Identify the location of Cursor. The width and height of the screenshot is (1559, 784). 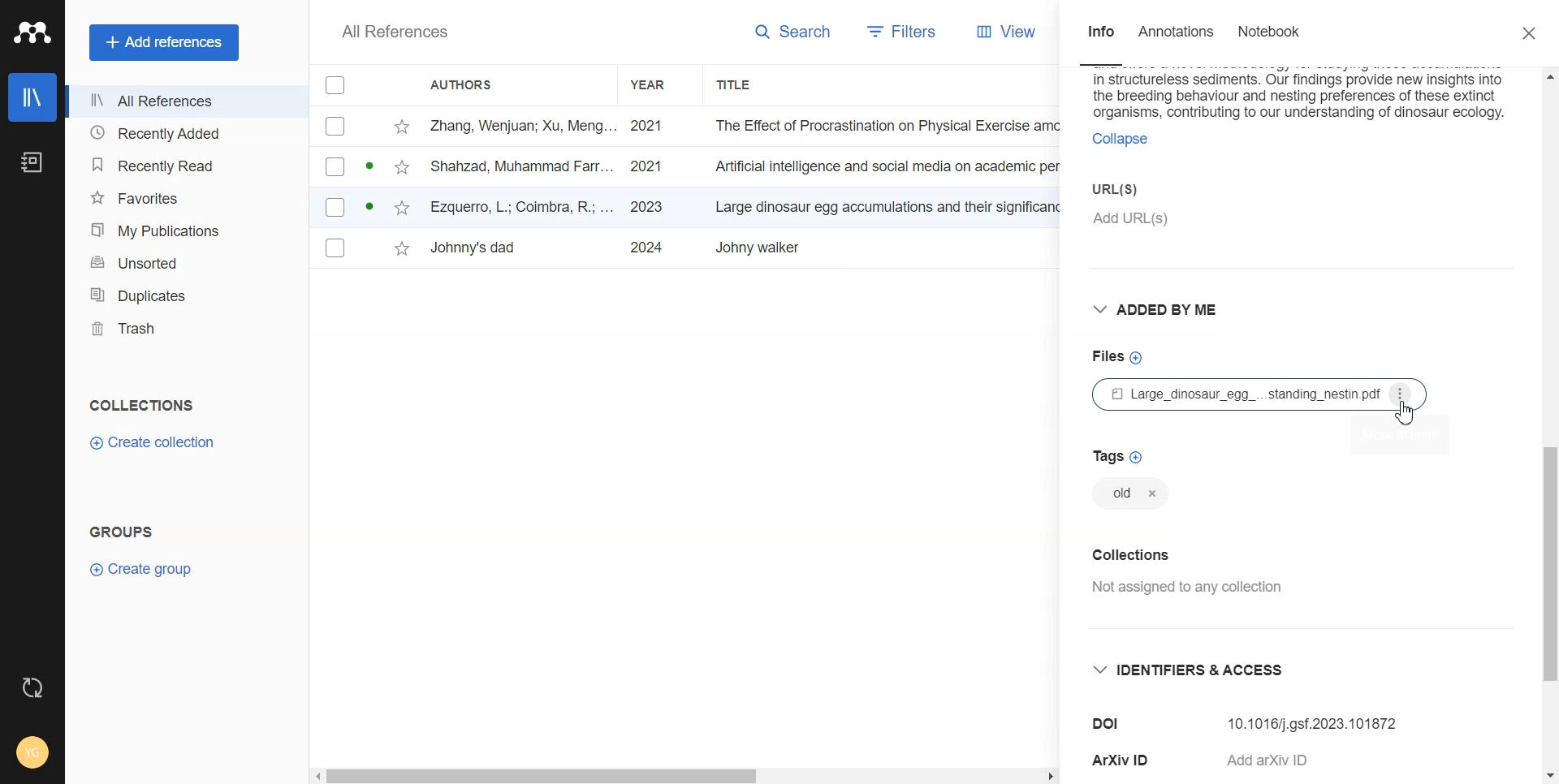
(1407, 413).